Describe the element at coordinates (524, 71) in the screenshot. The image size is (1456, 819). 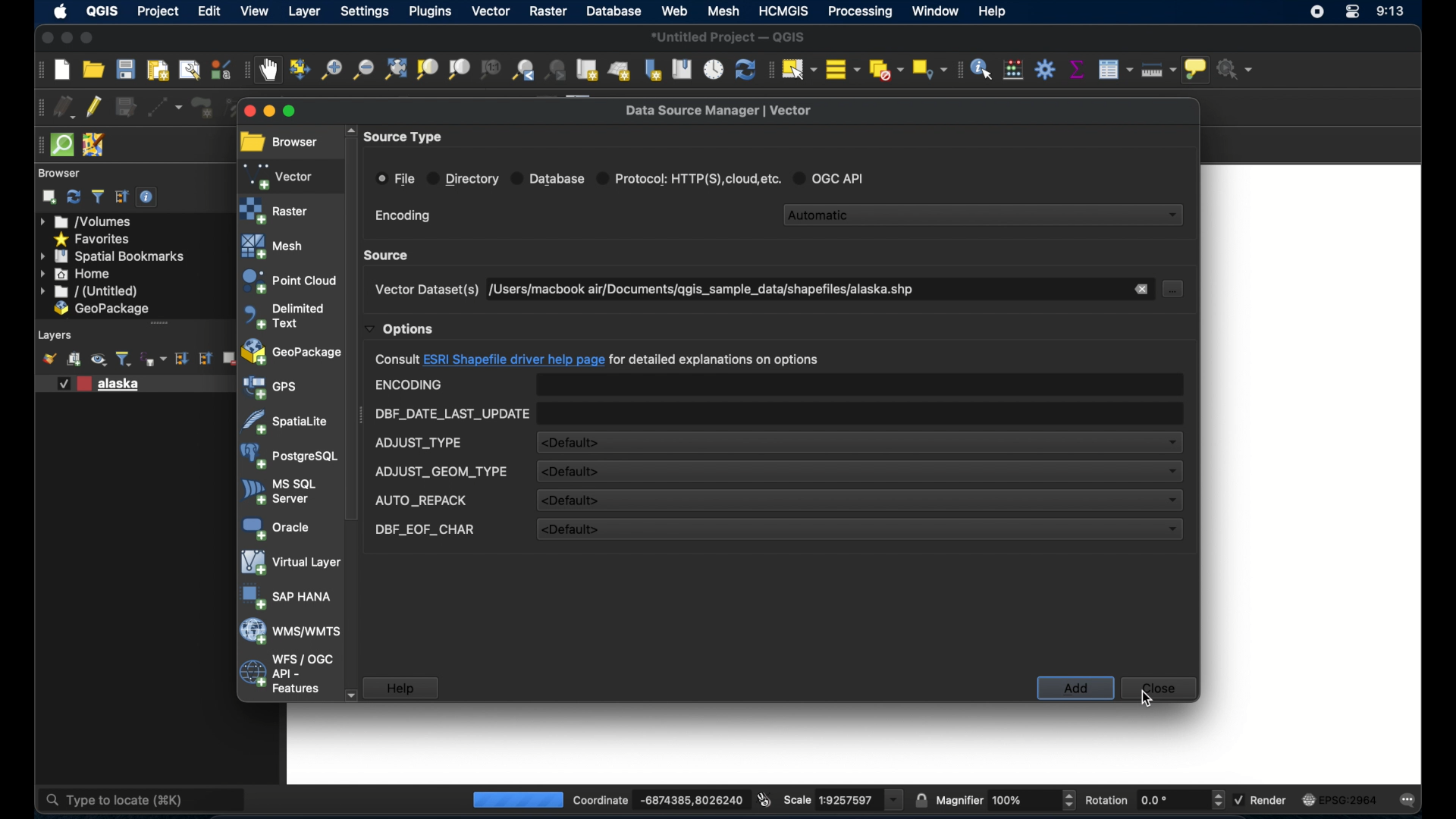
I see `zoom last` at that location.